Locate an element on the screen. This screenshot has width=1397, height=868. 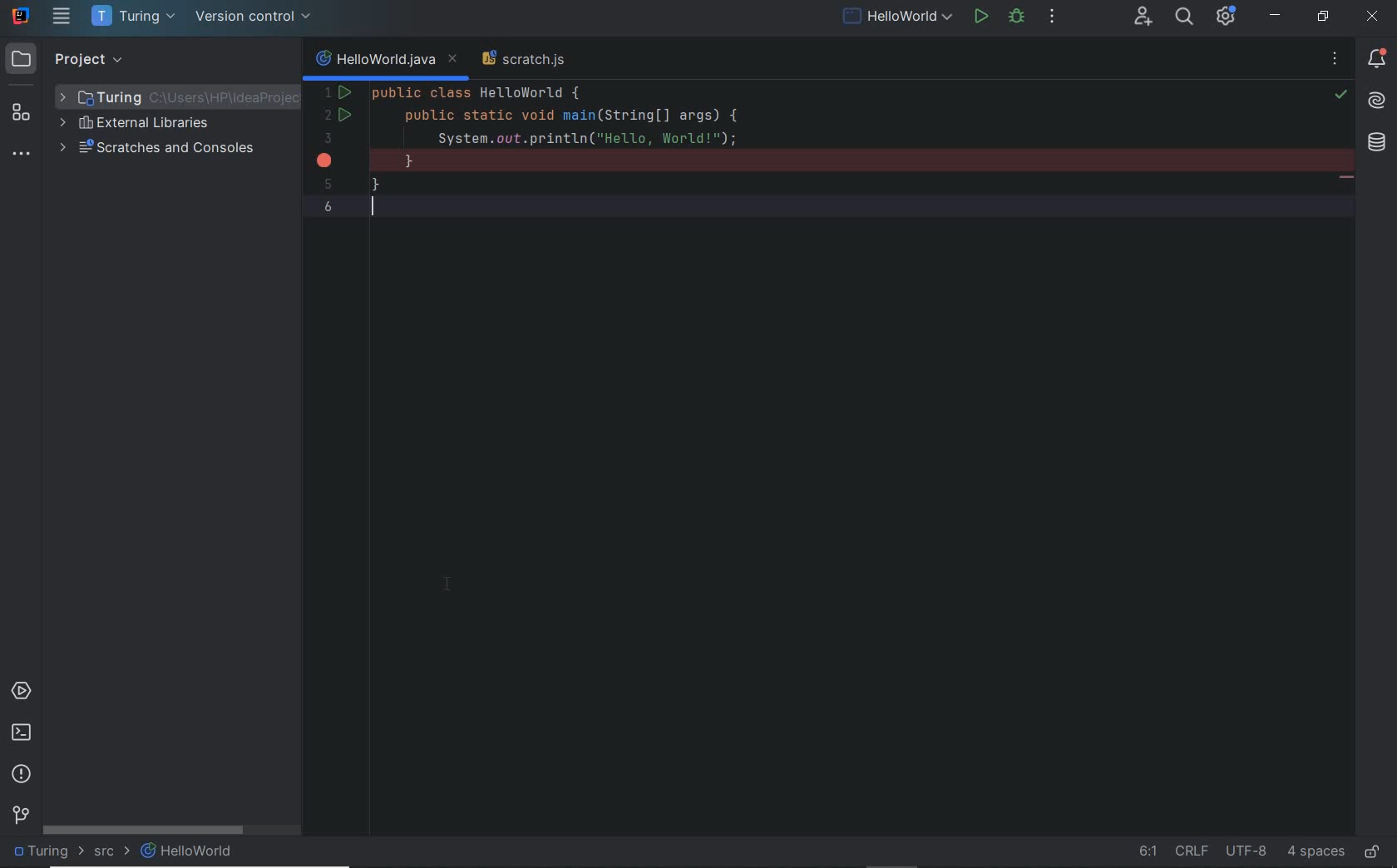
minimize is located at coordinates (1276, 18).